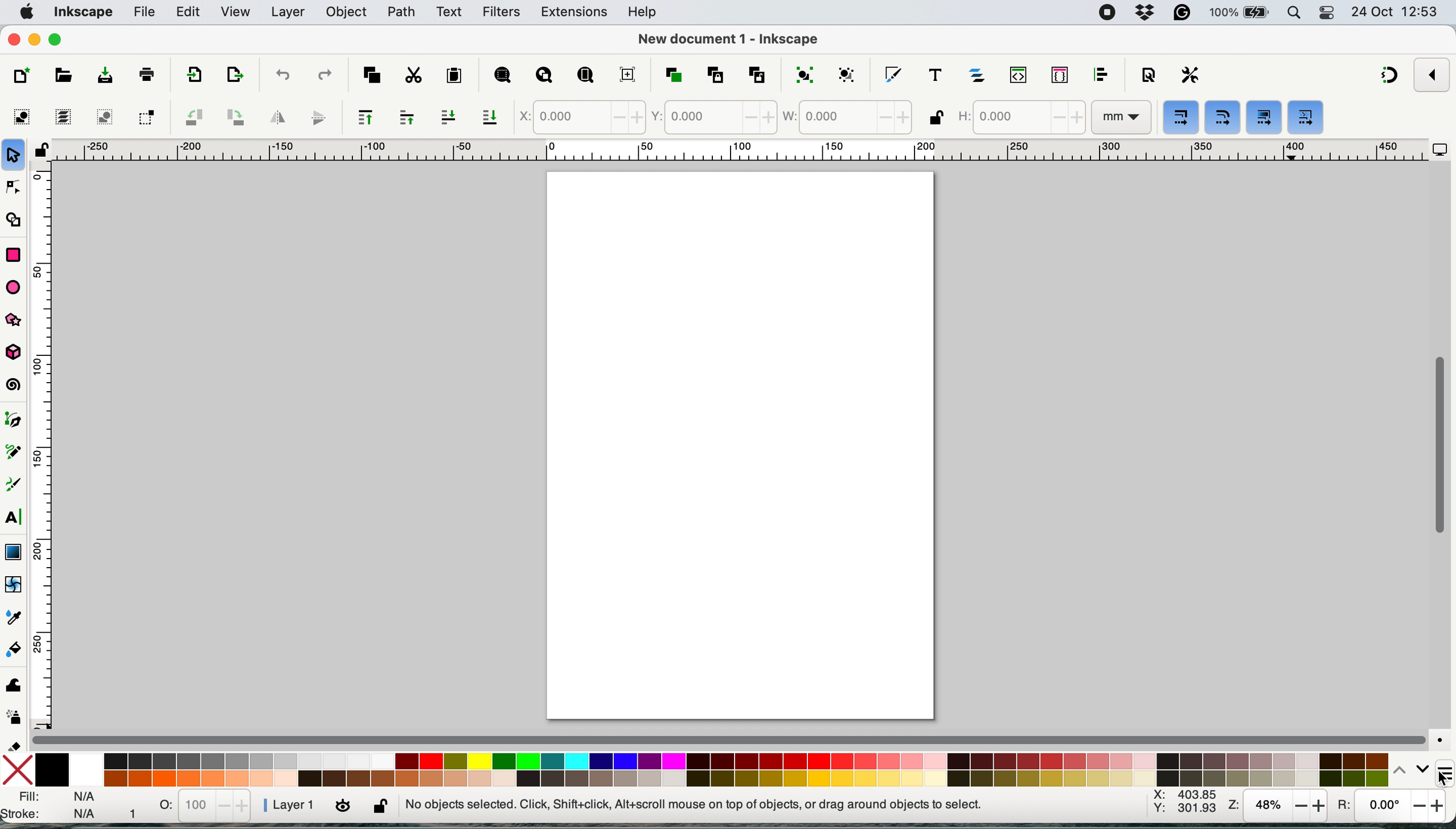 The width and height of the screenshot is (1456, 829). Describe the element at coordinates (282, 75) in the screenshot. I see `undo` at that location.